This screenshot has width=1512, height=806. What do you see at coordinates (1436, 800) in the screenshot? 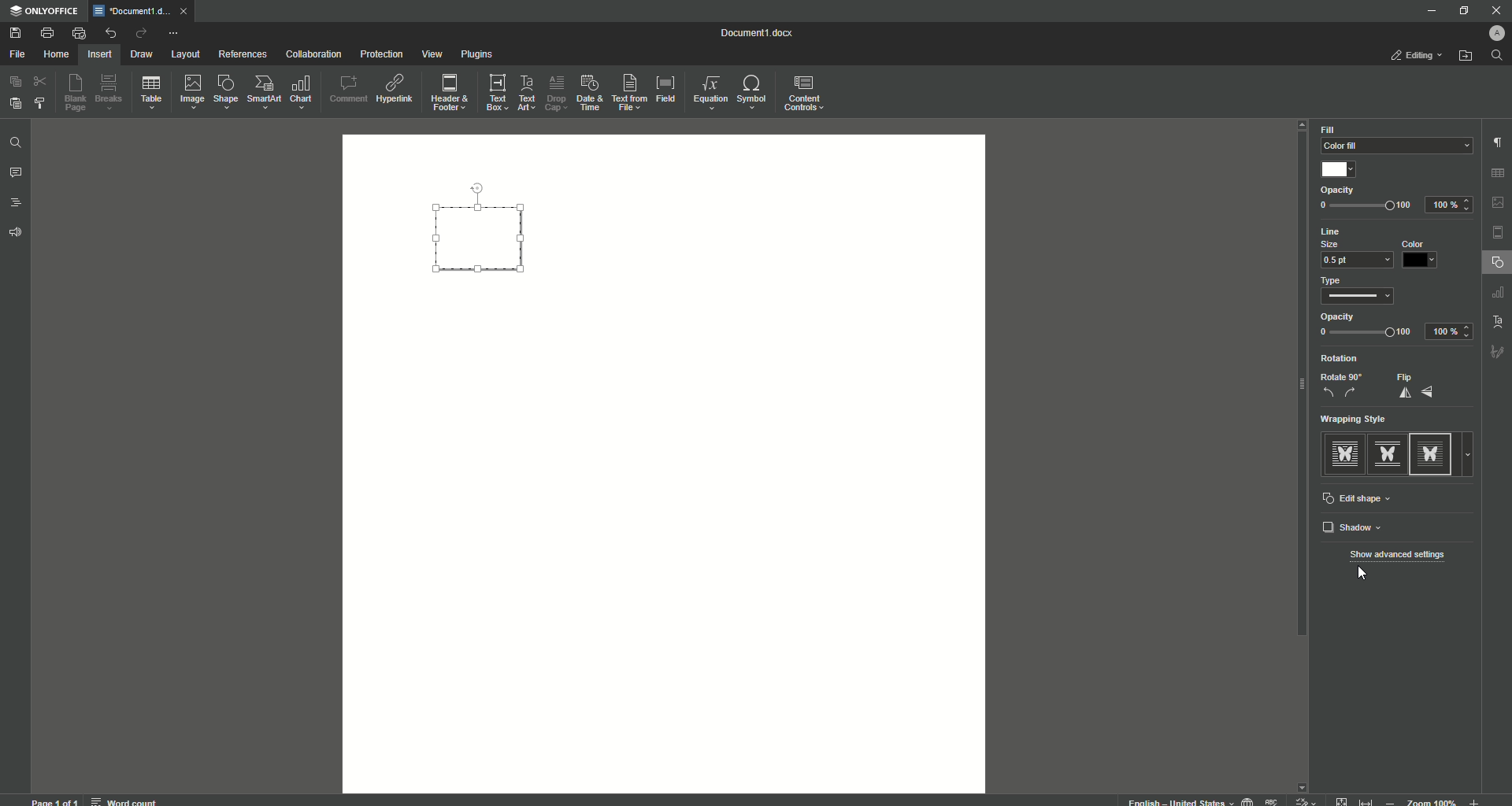
I see `zoom out or zoom in` at bounding box center [1436, 800].